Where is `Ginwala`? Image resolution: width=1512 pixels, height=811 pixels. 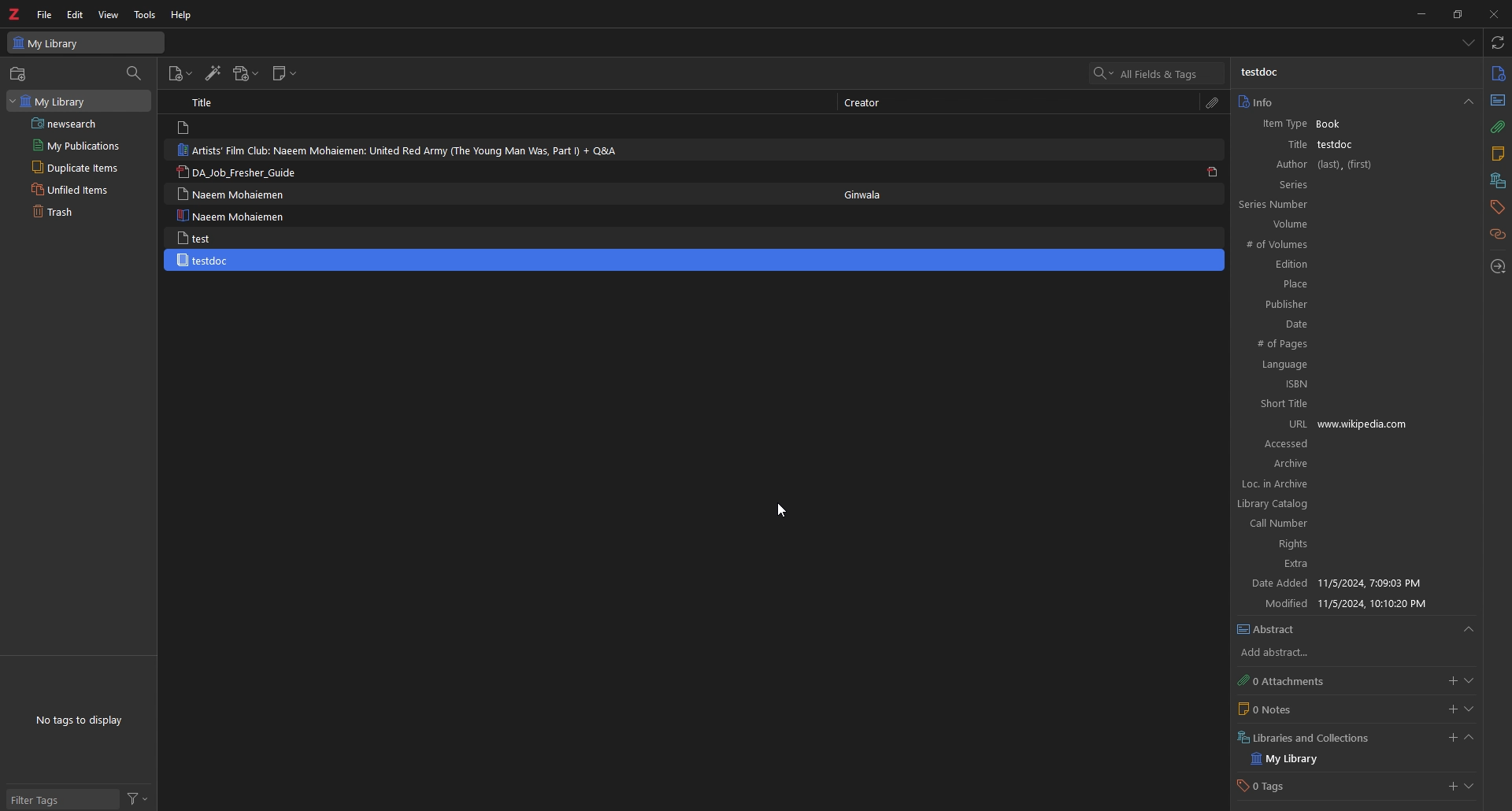 Ginwala is located at coordinates (872, 195).